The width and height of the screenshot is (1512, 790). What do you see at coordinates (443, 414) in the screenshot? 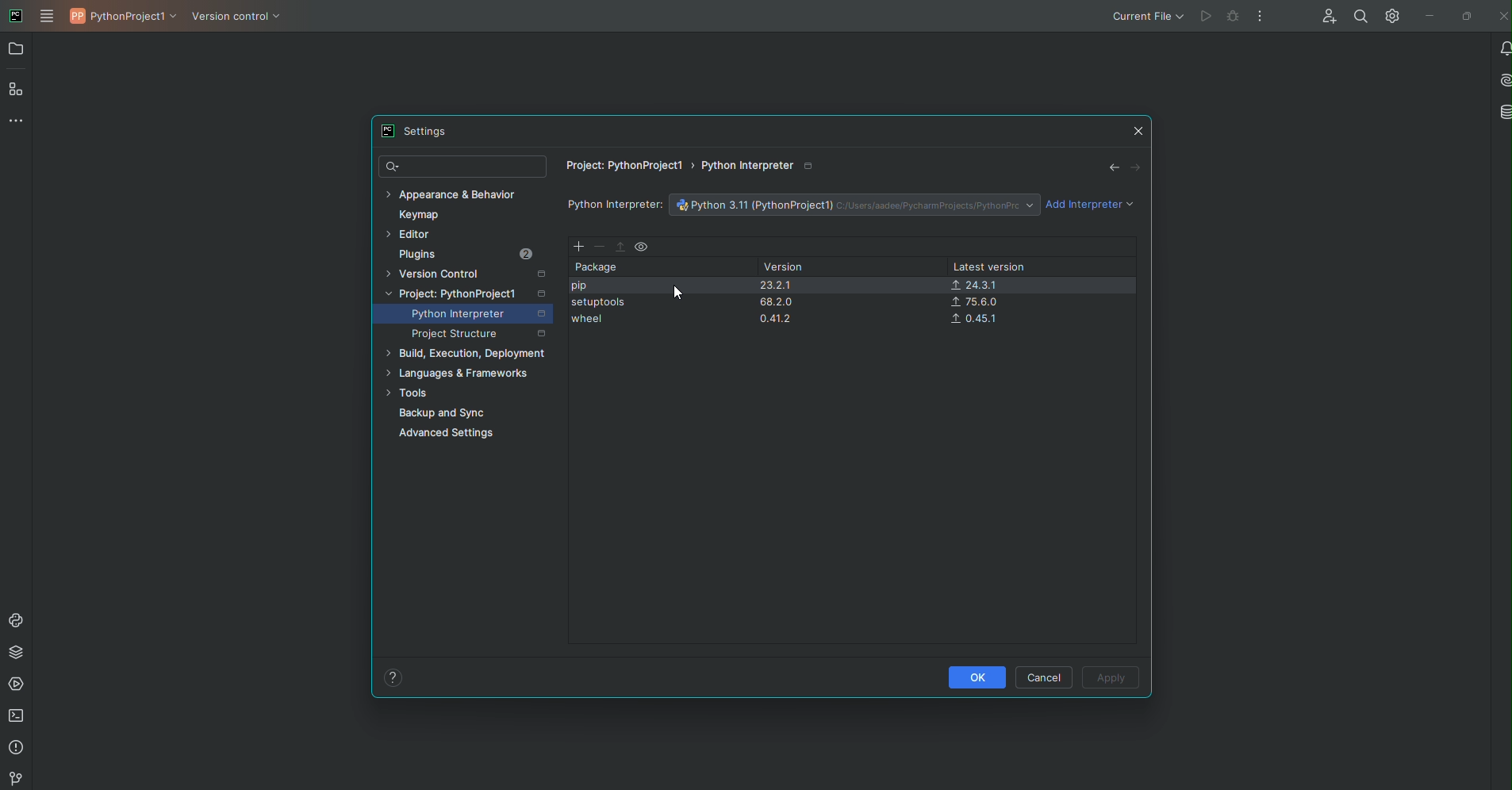
I see `Backup and Sync` at bounding box center [443, 414].